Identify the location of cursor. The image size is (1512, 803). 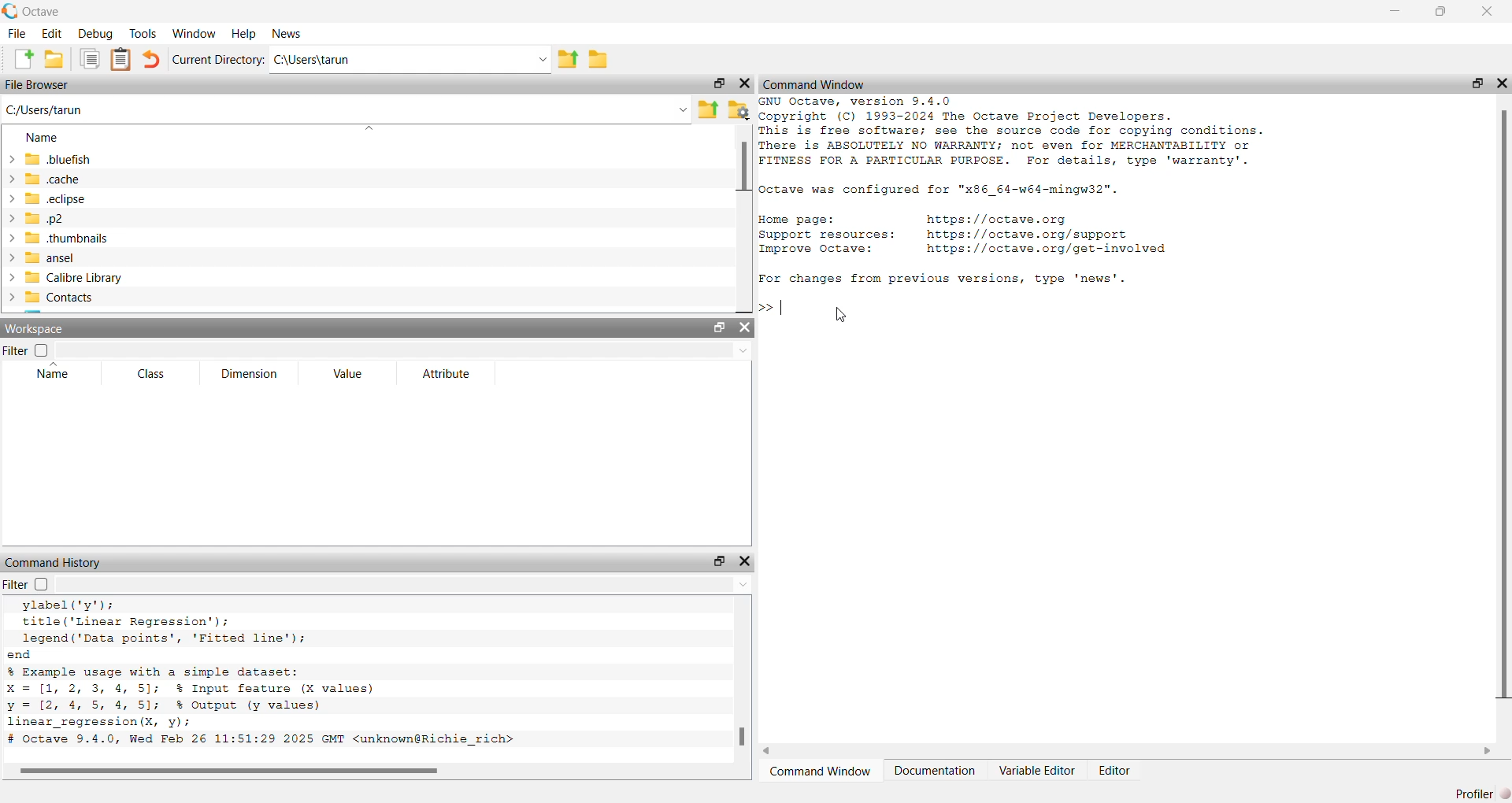
(843, 316).